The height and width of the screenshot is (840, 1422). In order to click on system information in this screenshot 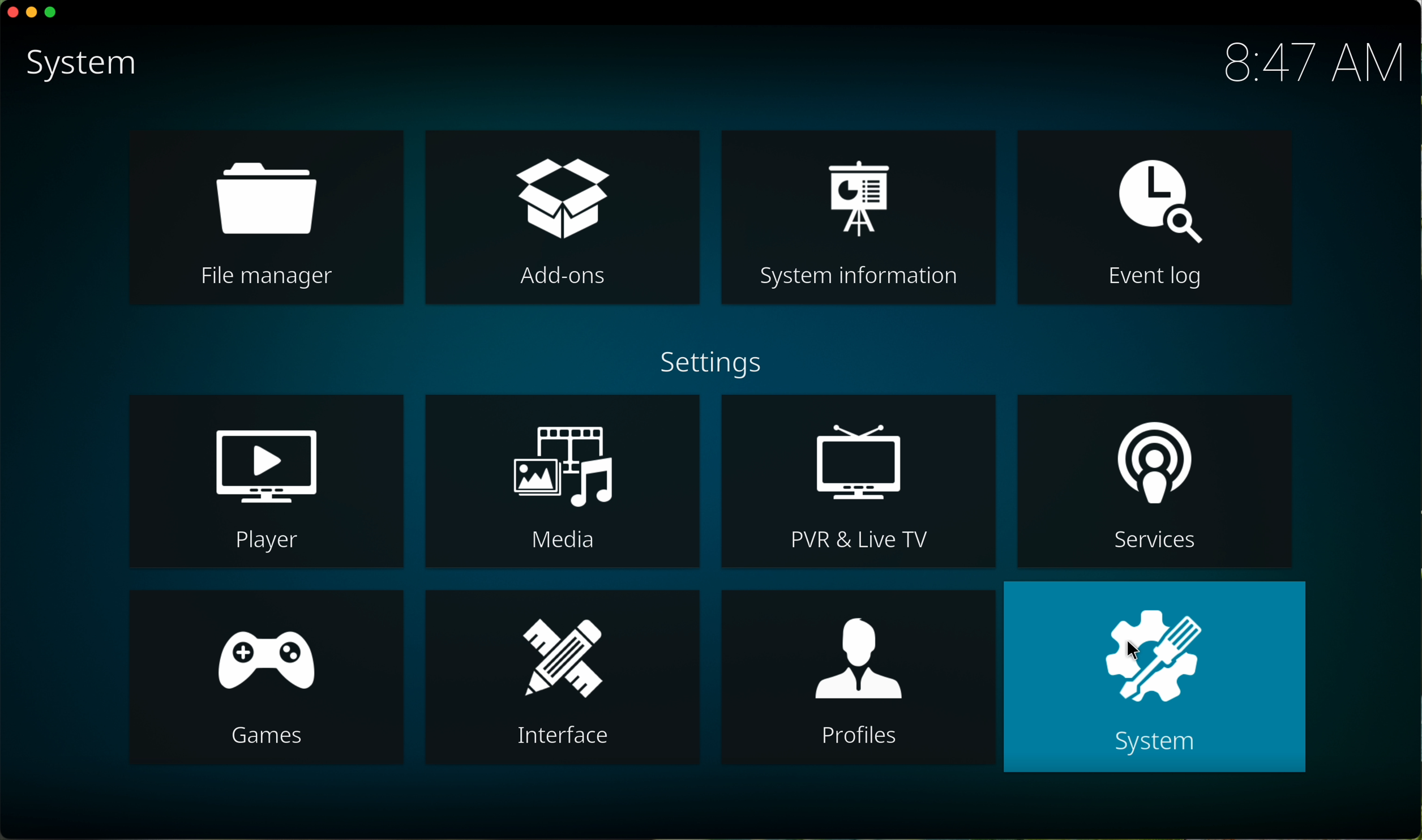, I will do `click(860, 218)`.